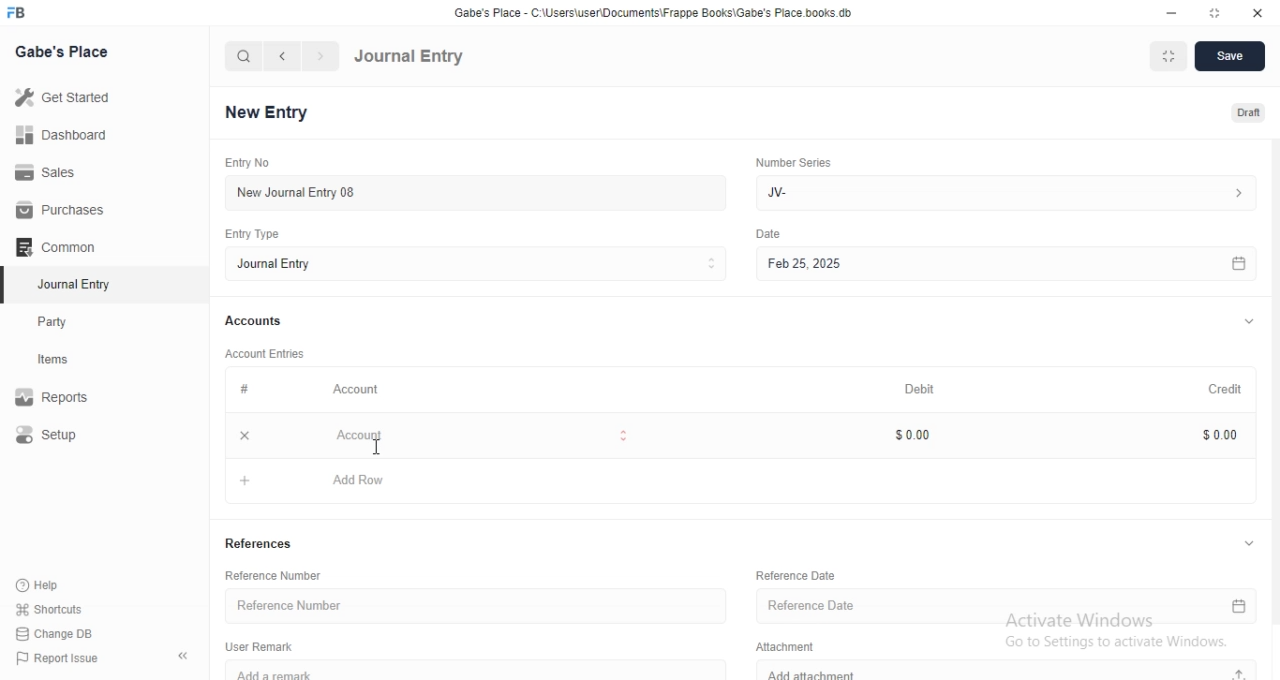  I want to click on shortcuts, so click(62, 608).